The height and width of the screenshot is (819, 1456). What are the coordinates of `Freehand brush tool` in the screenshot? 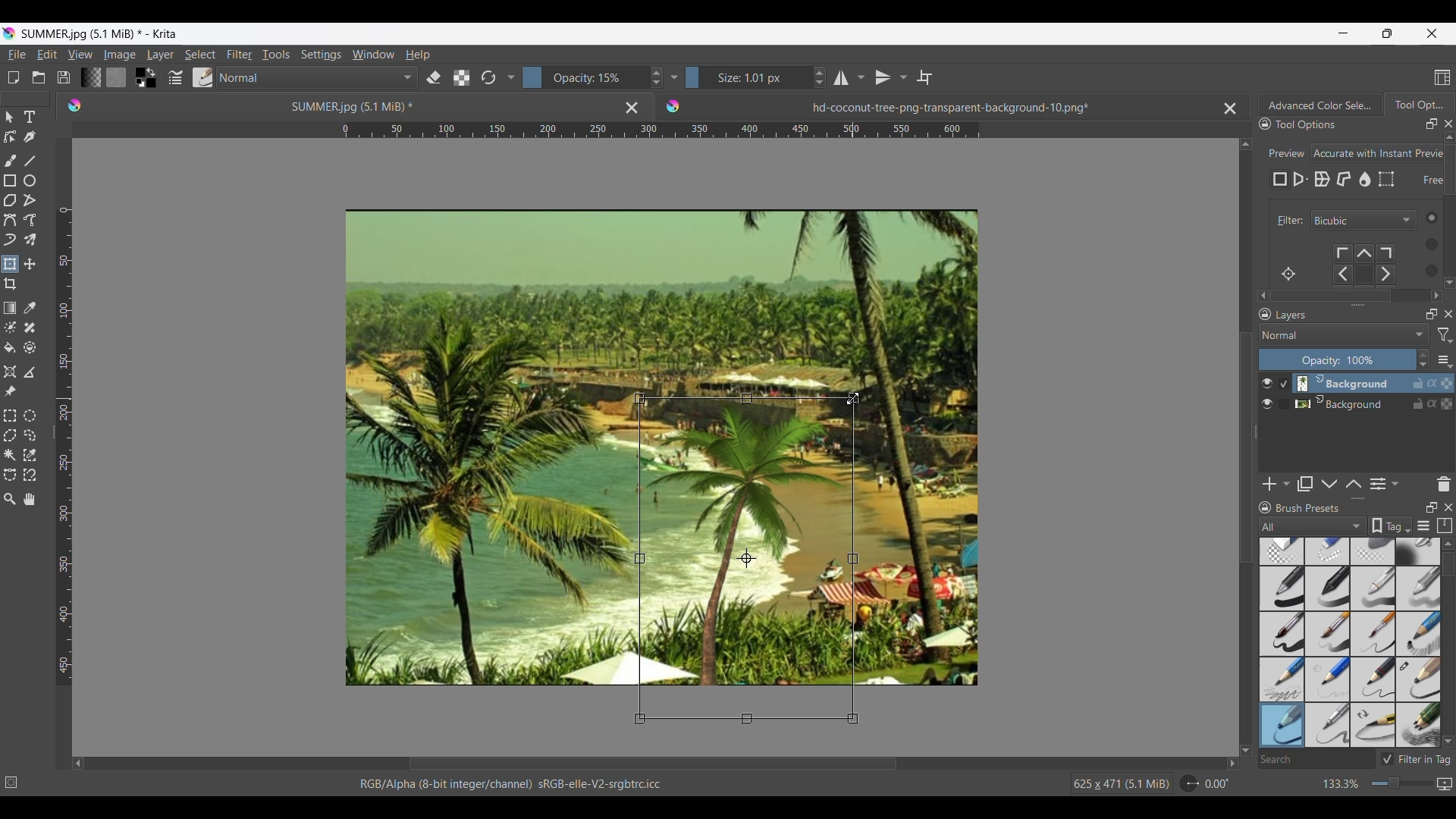 It's located at (10, 160).